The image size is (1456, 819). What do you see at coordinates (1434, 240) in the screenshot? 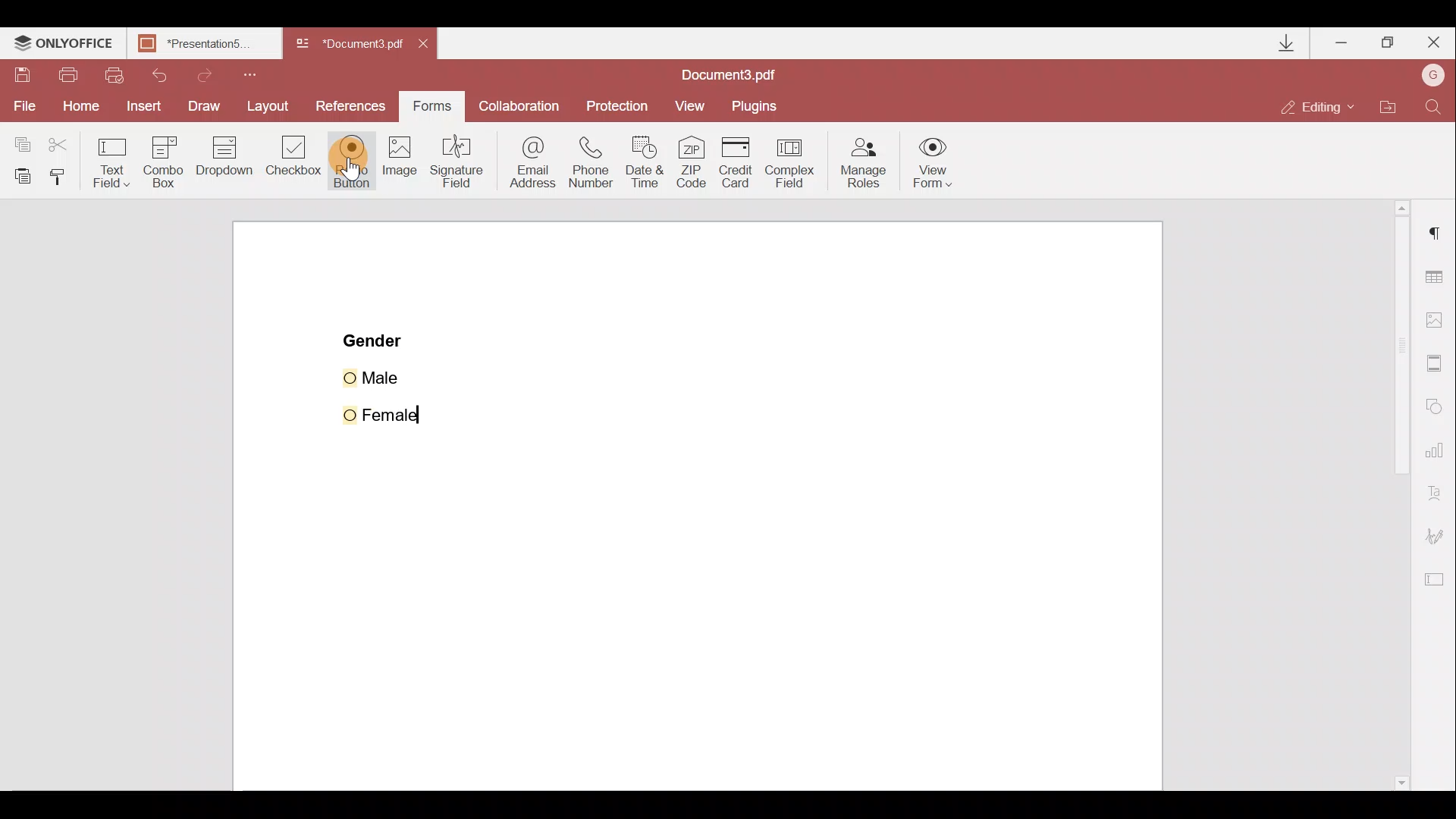
I see `Paragraph settings` at bounding box center [1434, 240].